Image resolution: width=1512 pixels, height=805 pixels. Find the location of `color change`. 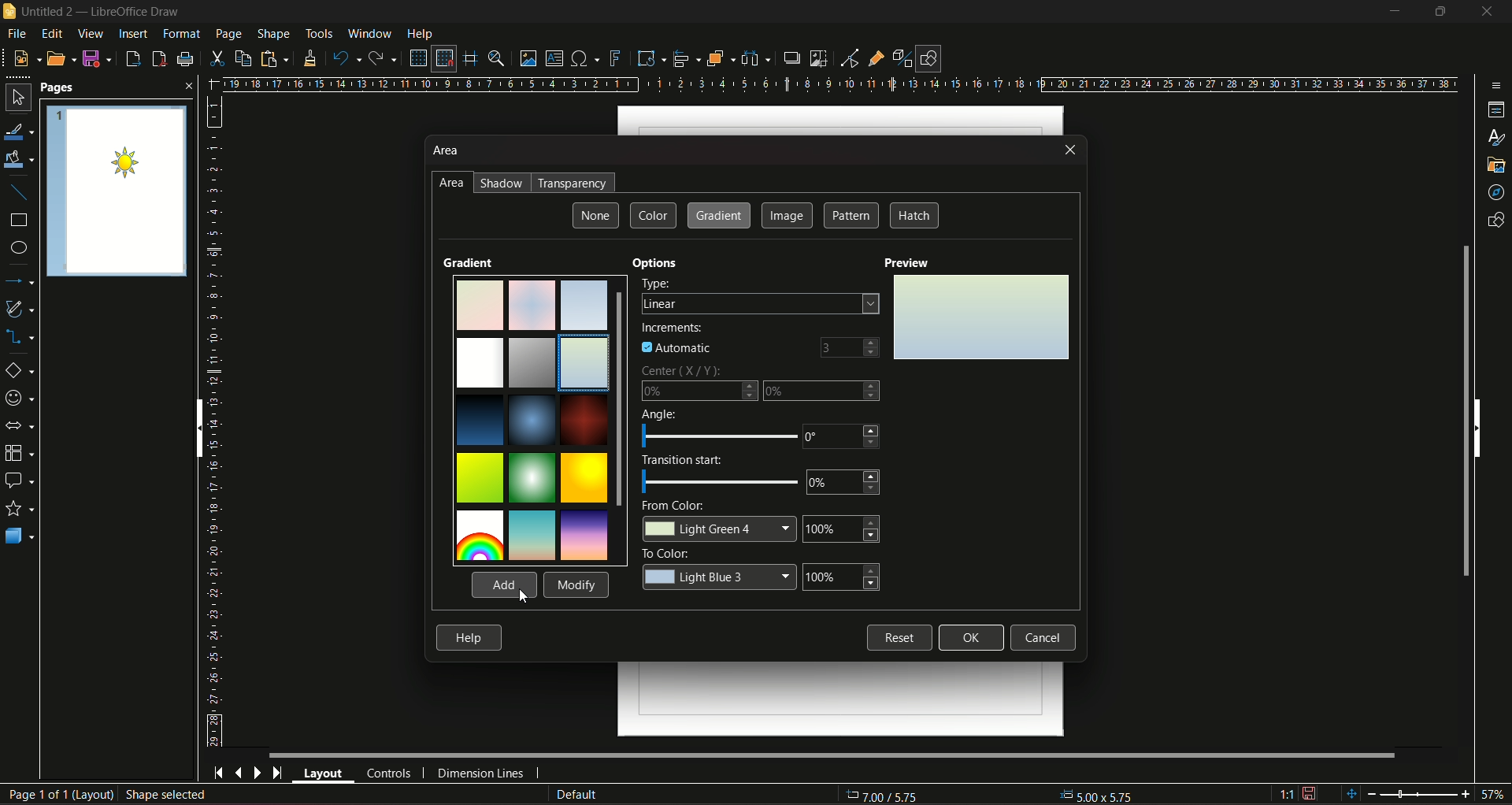

color change is located at coordinates (717, 577).